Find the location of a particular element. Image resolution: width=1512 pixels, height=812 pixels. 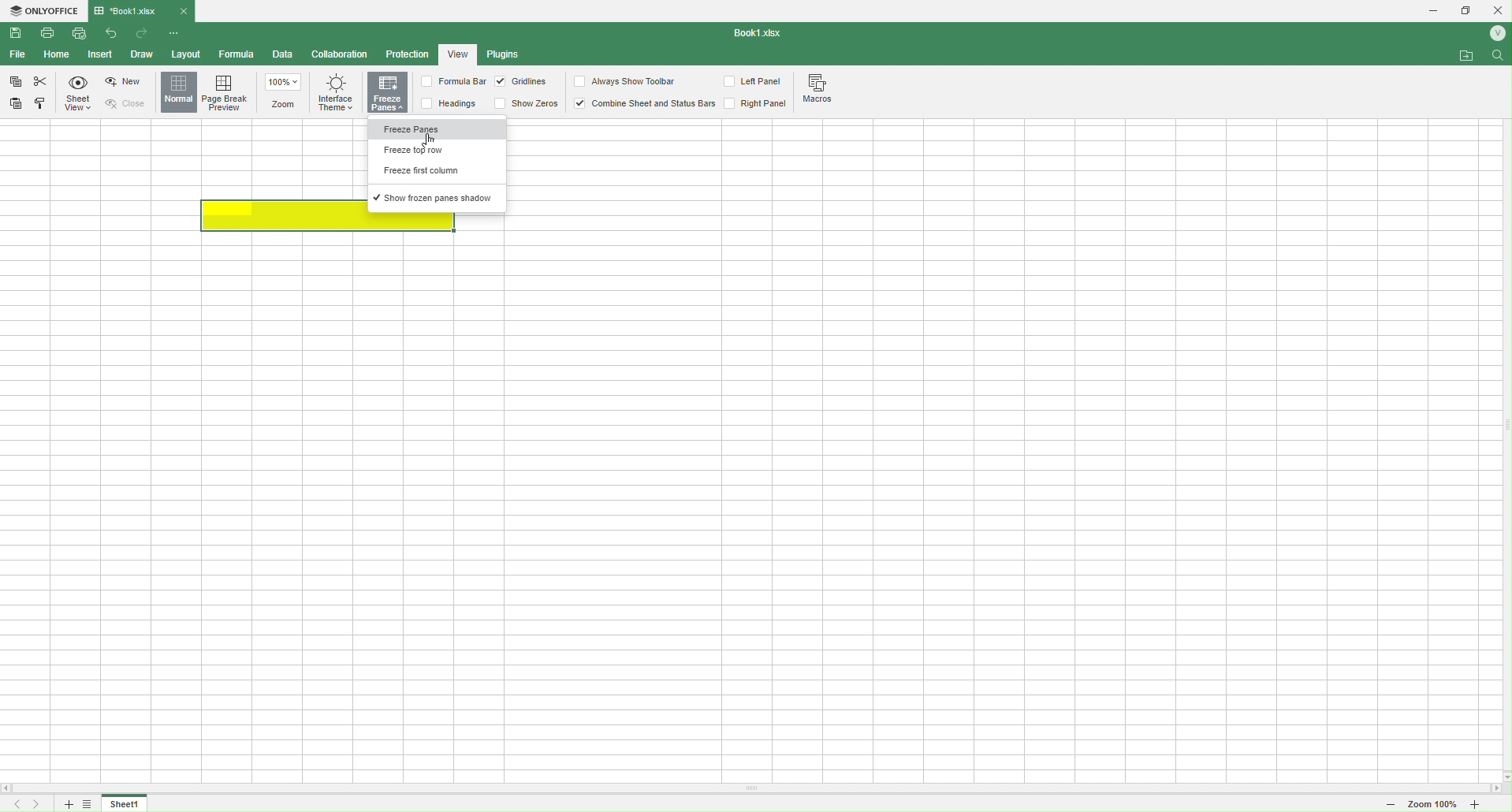

Sheet 1 is located at coordinates (125, 804).